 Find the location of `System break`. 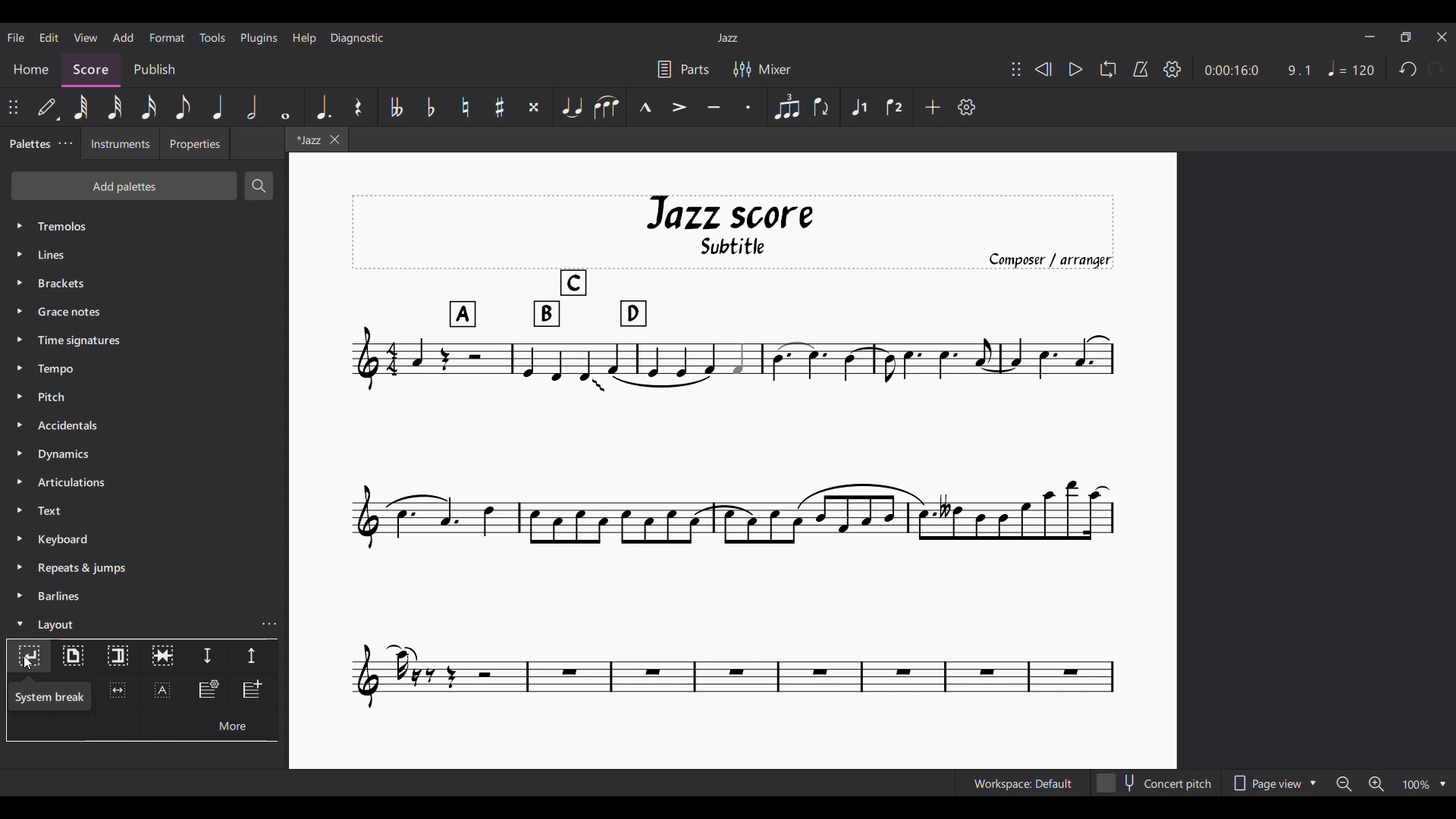

System break is located at coordinates (29, 656).